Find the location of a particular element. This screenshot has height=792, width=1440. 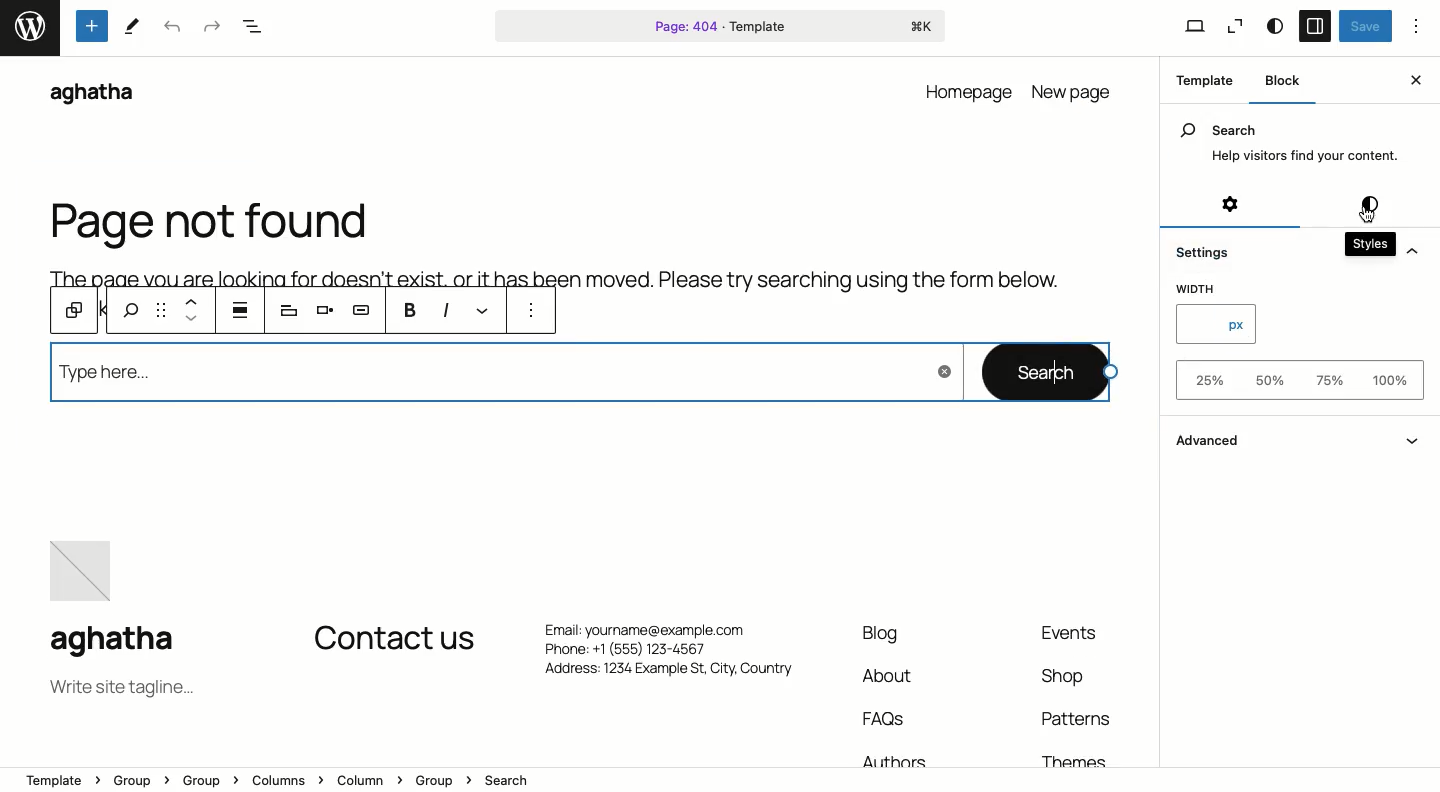

Style is located at coordinates (1276, 27).